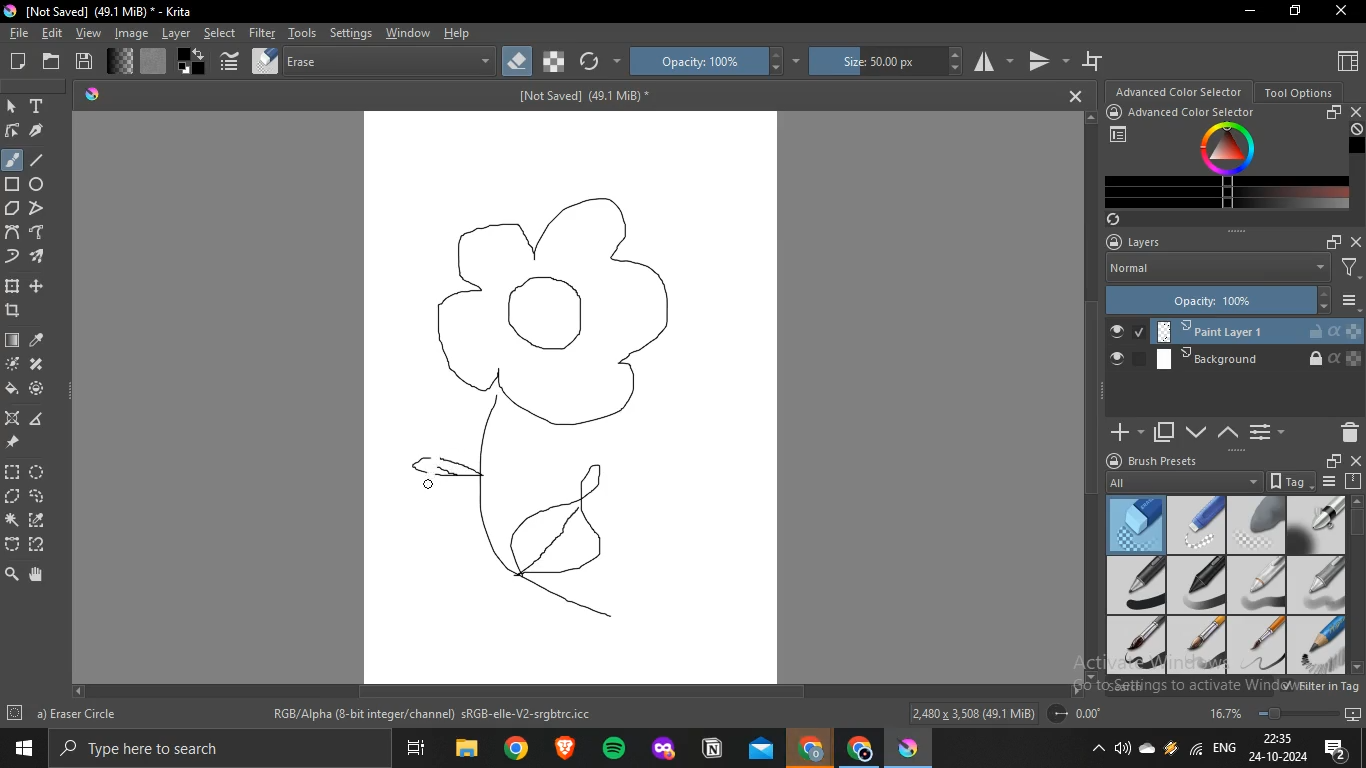 This screenshot has width=1366, height=768. Describe the element at coordinates (662, 748) in the screenshot. I see `Application` at that location.